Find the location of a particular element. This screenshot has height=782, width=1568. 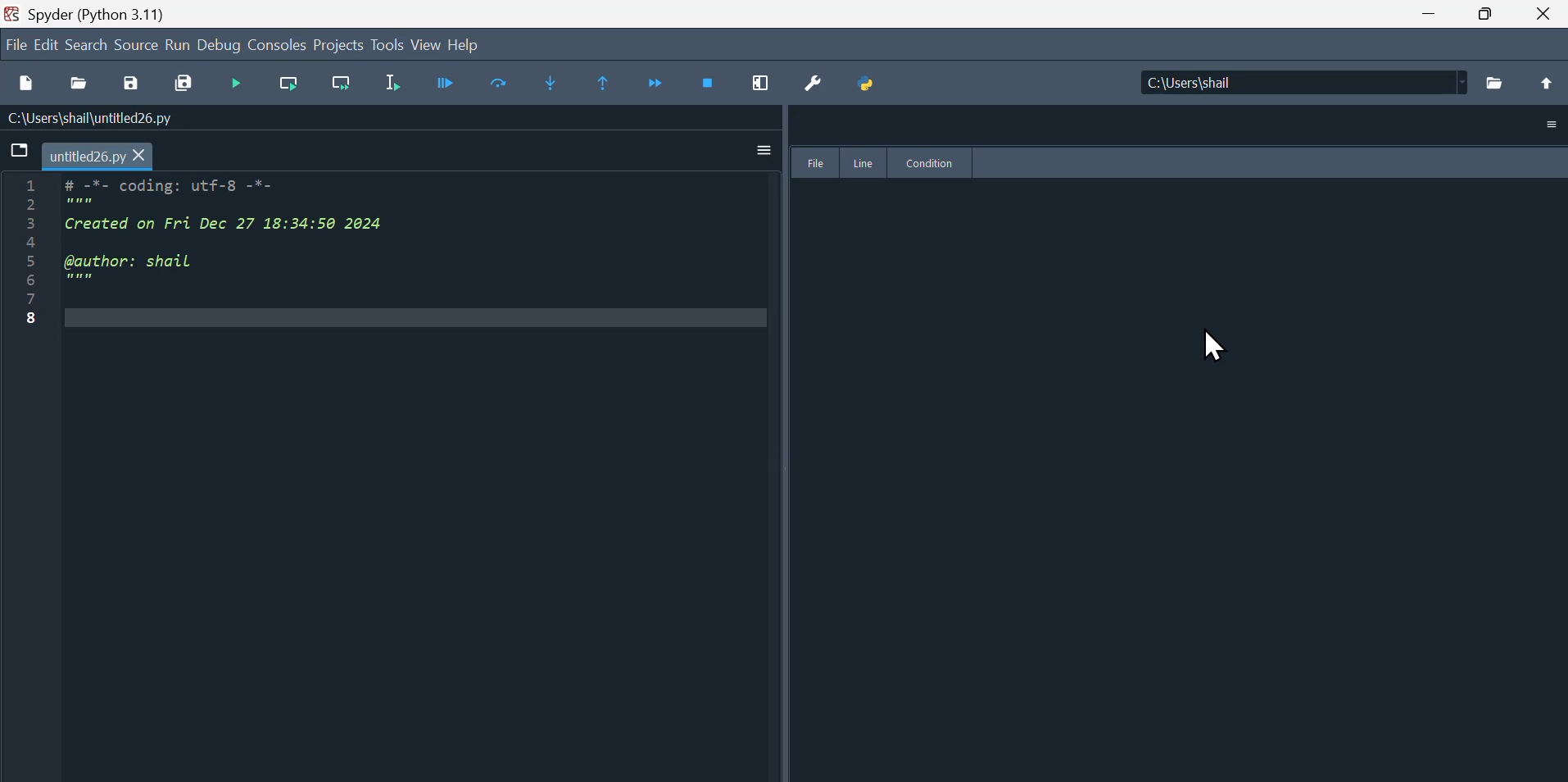

Run is located at coordinates (179, 45).